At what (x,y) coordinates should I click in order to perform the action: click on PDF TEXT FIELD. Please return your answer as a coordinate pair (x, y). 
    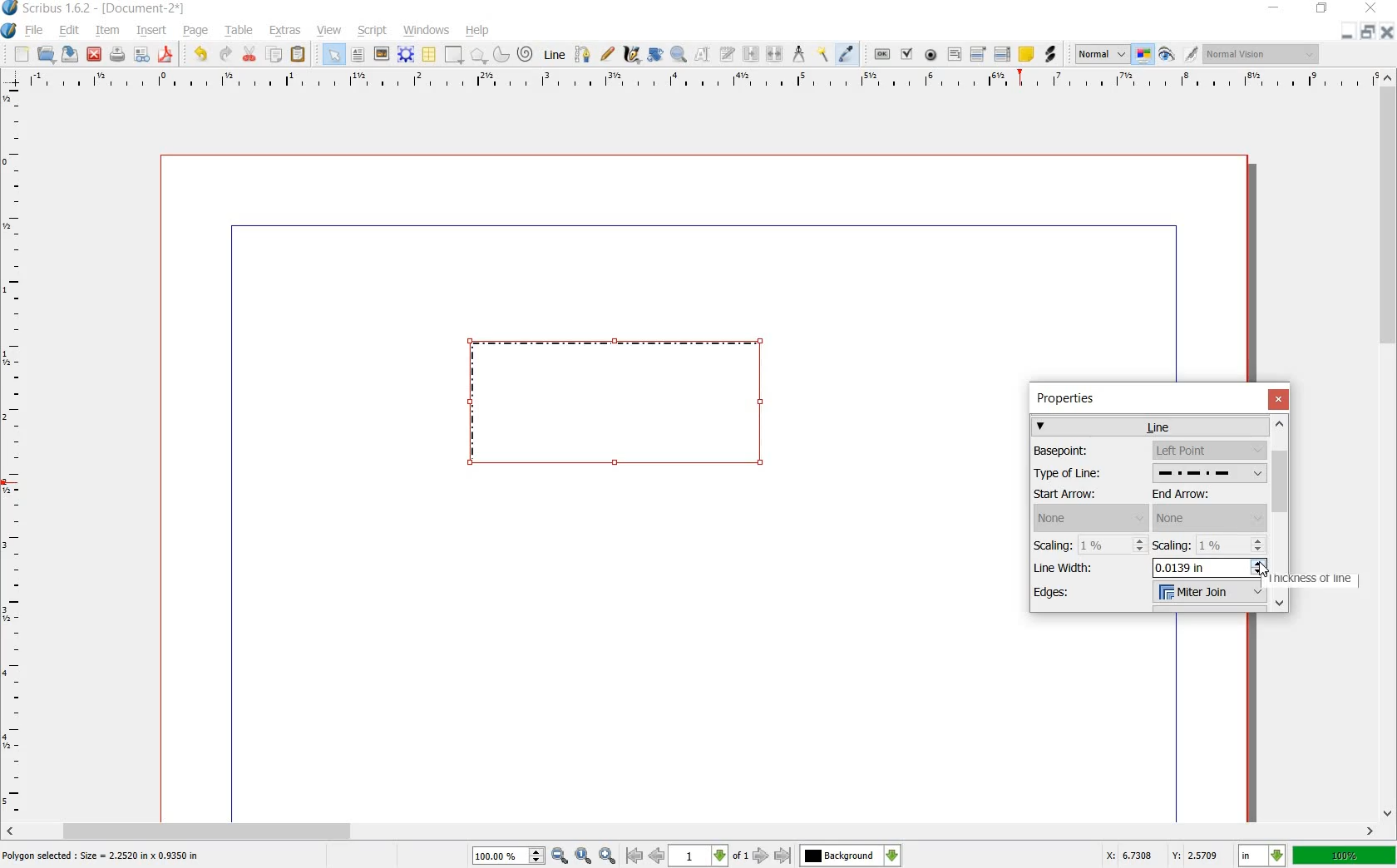
    Looking at the image, I should click on (954, 55).